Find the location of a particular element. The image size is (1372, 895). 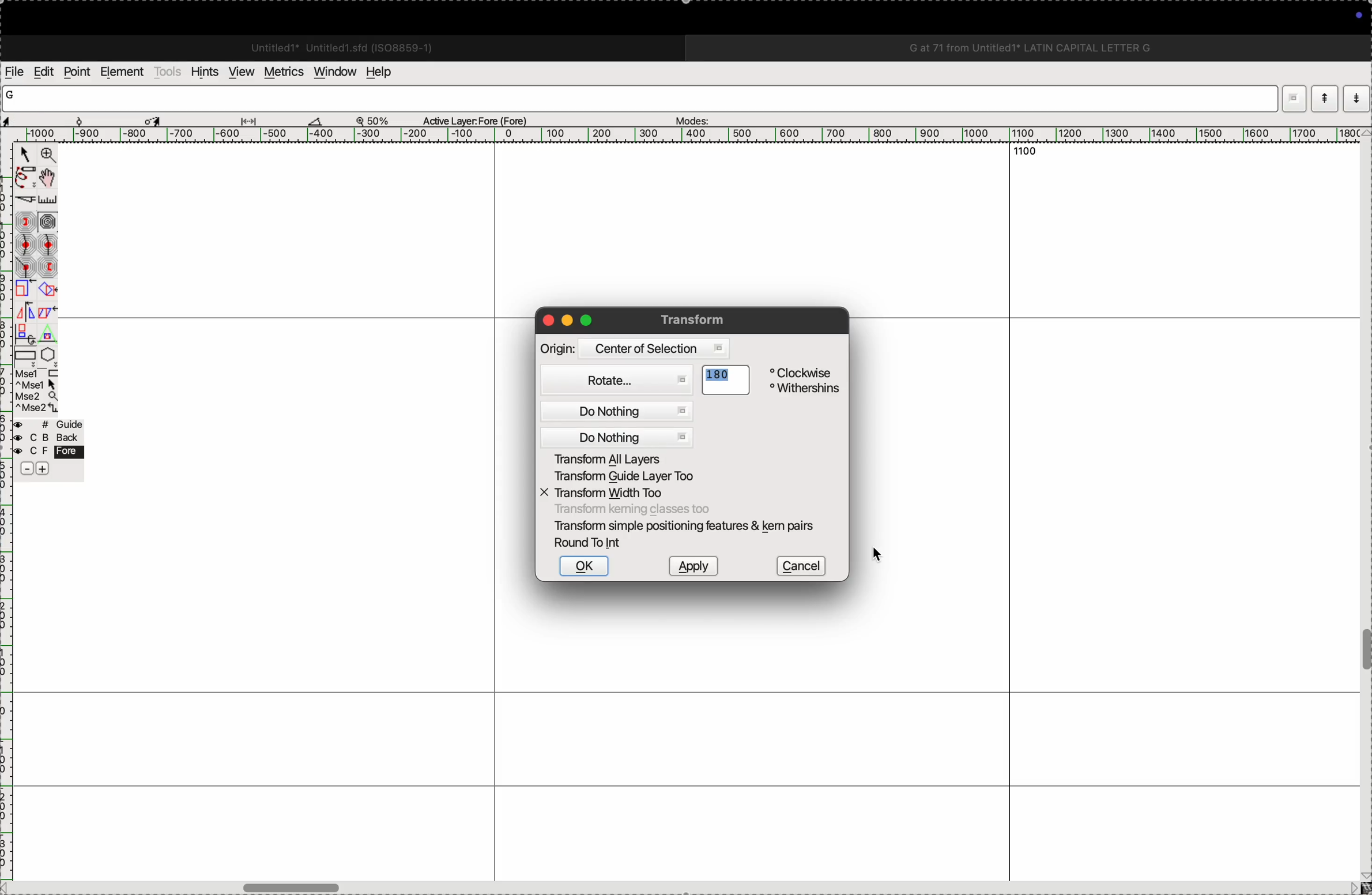

dropdown is located at coordinates (1294, 97).